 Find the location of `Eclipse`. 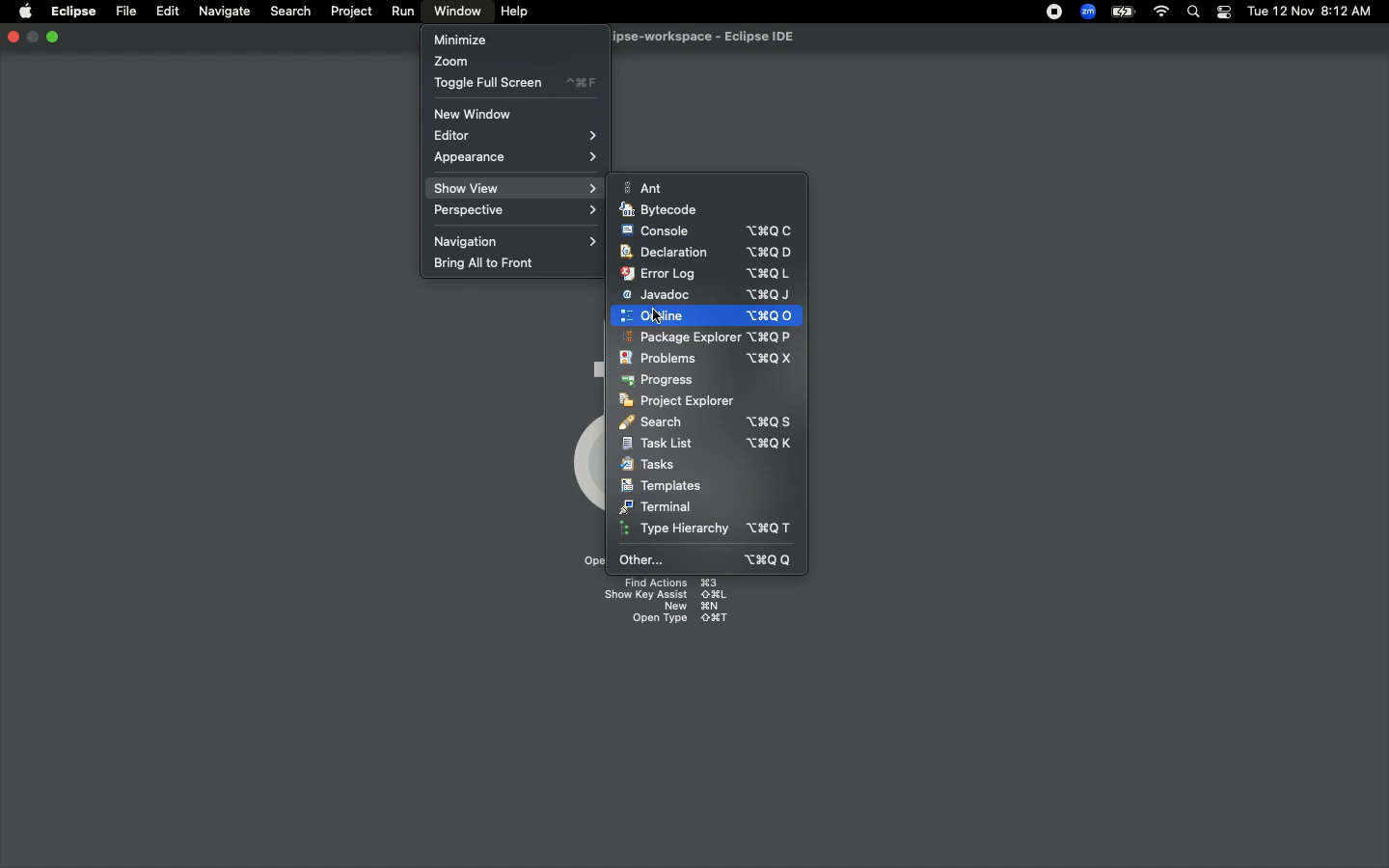

Eclipse is located at coordinates (73, 13).